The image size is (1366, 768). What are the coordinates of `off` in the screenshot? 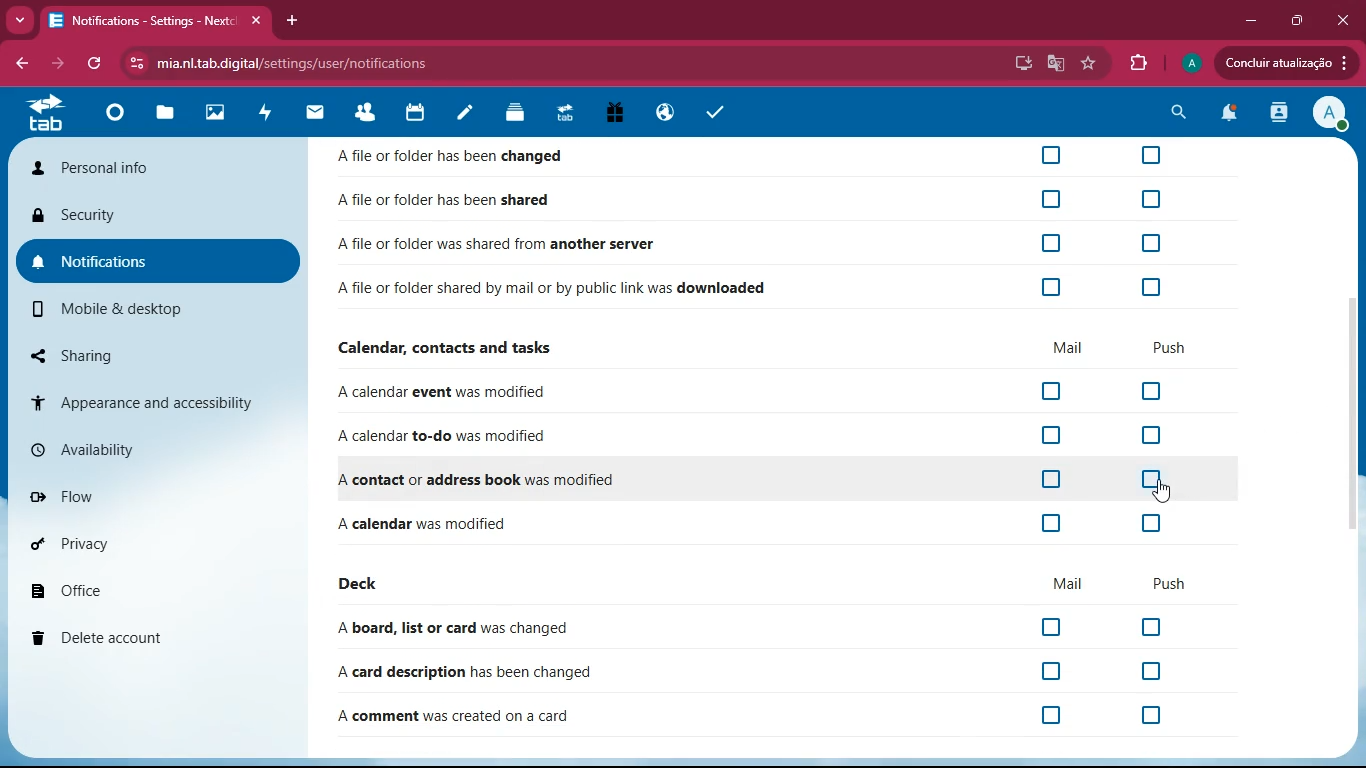 It's located at (1052, 625).